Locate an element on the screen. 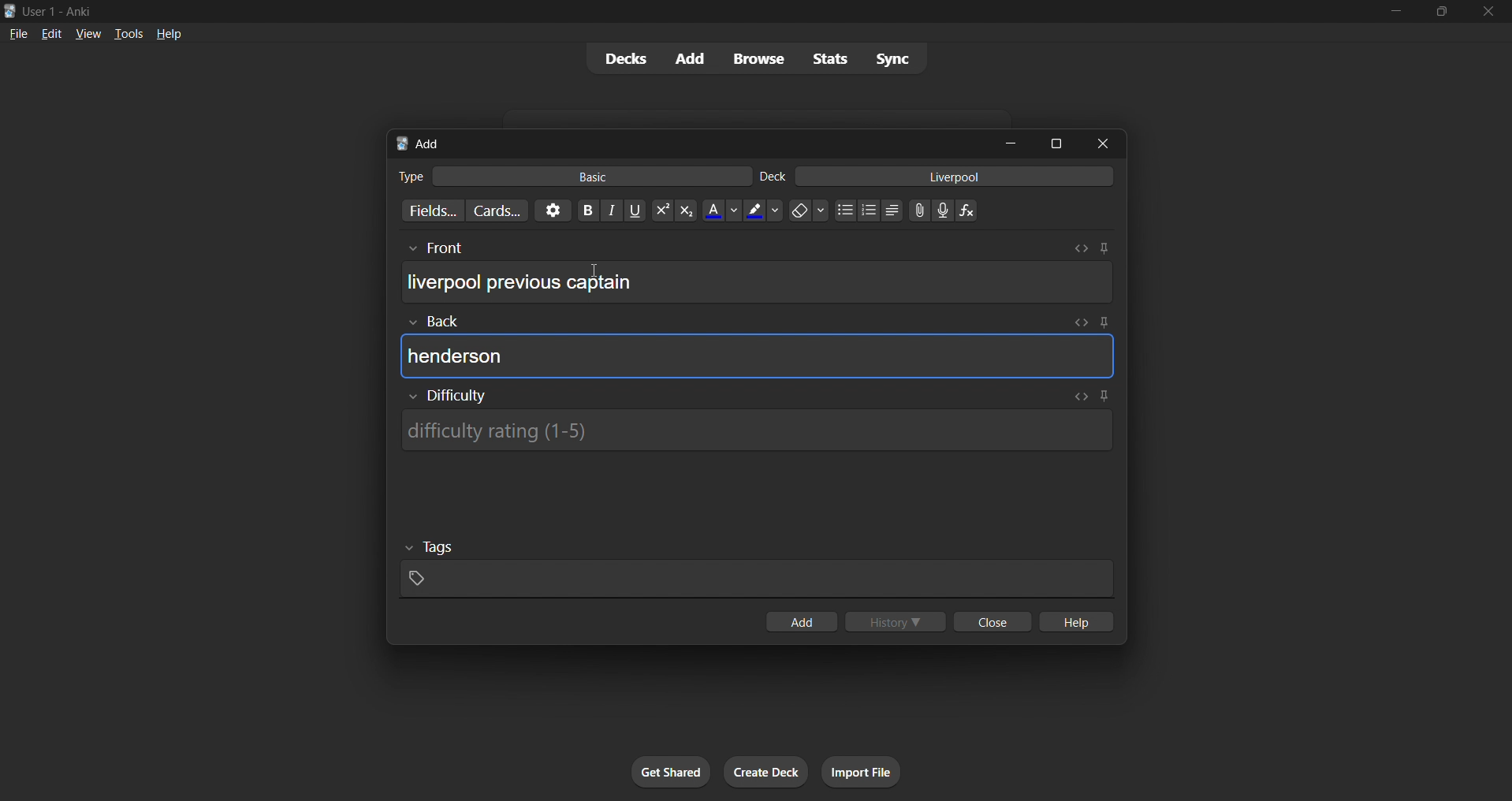 The image size is (1512, 801). minimize is located at coordinates (1014, 144).